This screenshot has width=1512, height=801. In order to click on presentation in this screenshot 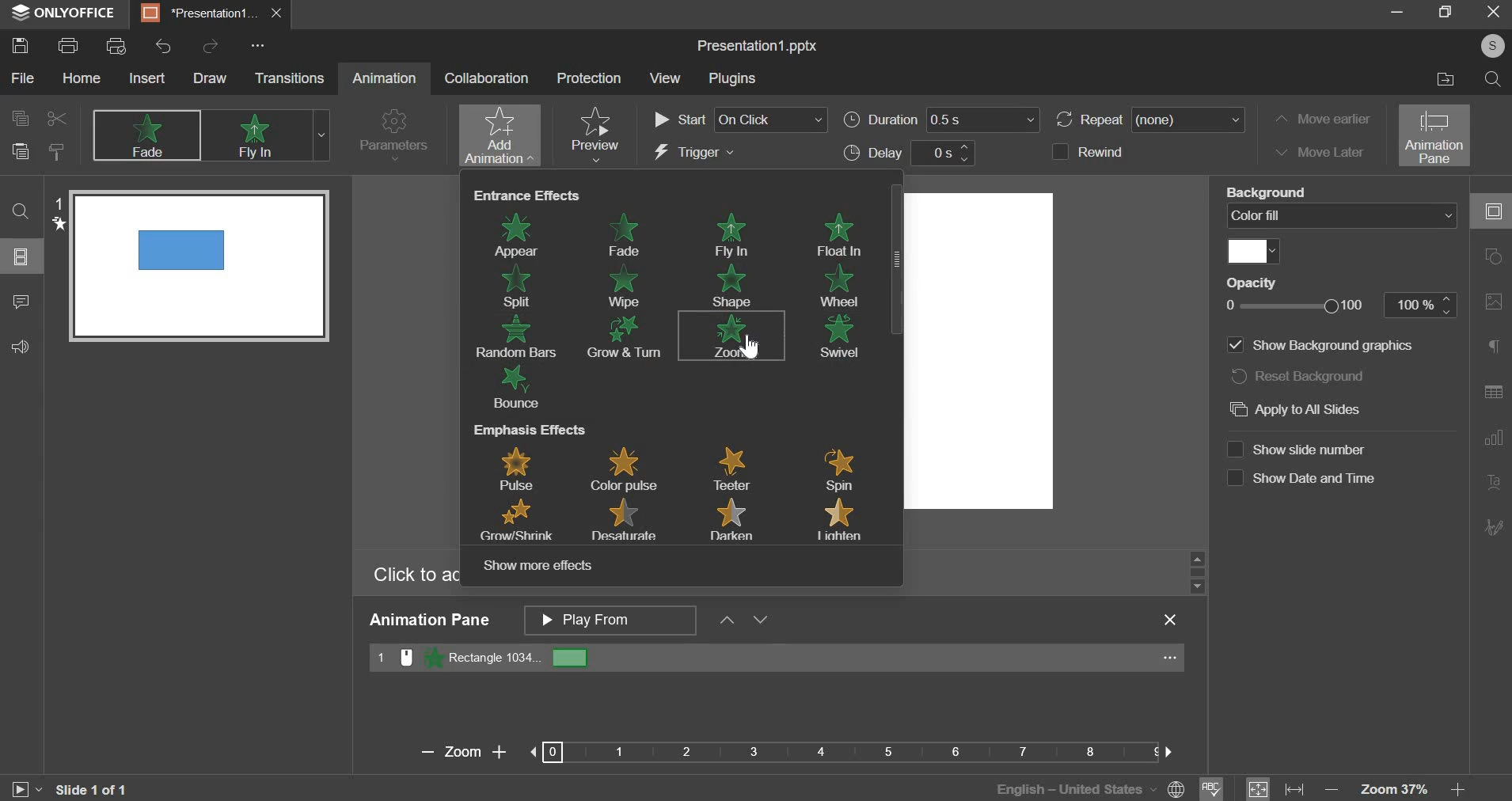, I will do `click(209, 15)`.